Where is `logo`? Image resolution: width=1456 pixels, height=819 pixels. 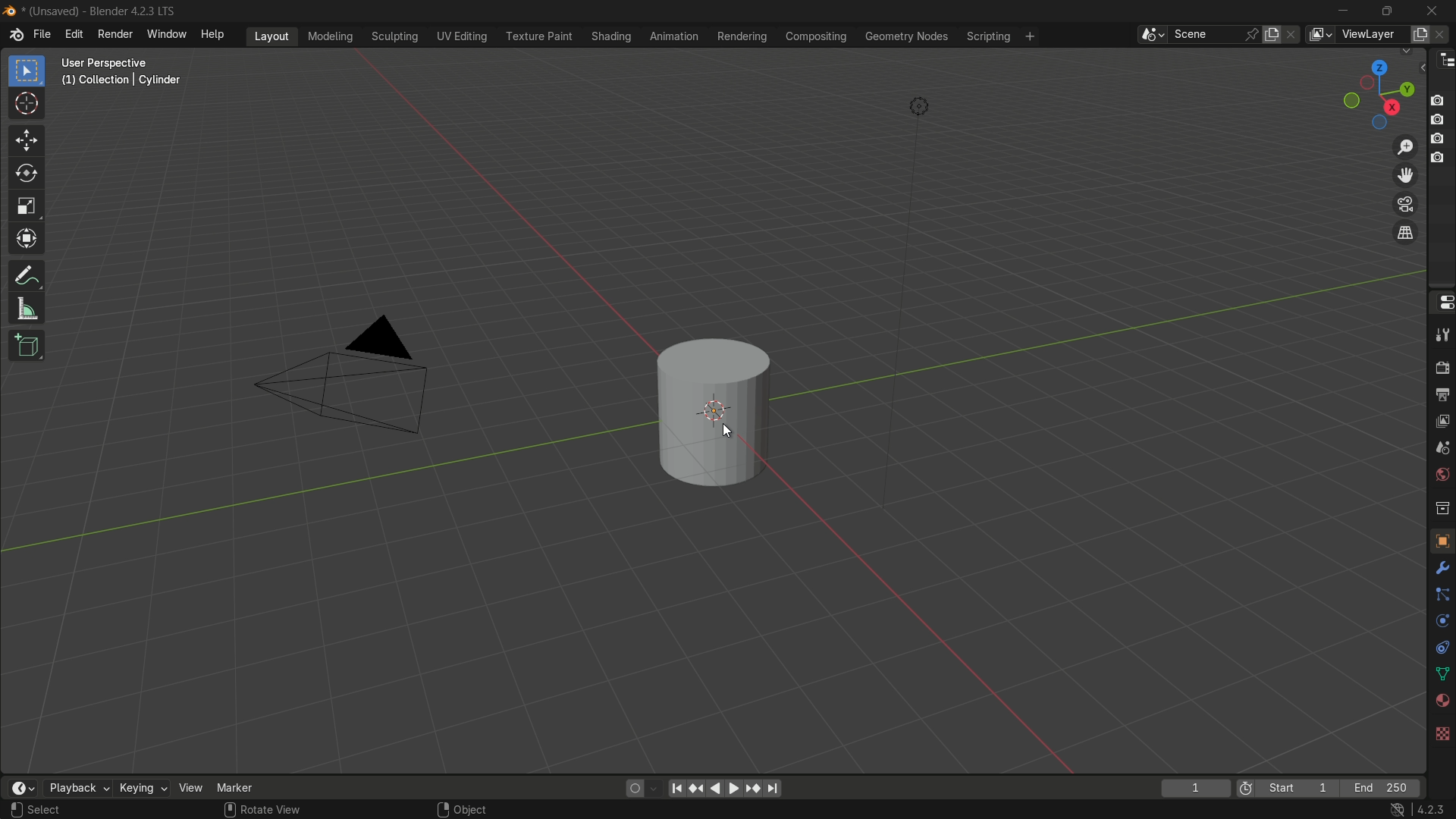
logo is located at coordinates (16, 35).